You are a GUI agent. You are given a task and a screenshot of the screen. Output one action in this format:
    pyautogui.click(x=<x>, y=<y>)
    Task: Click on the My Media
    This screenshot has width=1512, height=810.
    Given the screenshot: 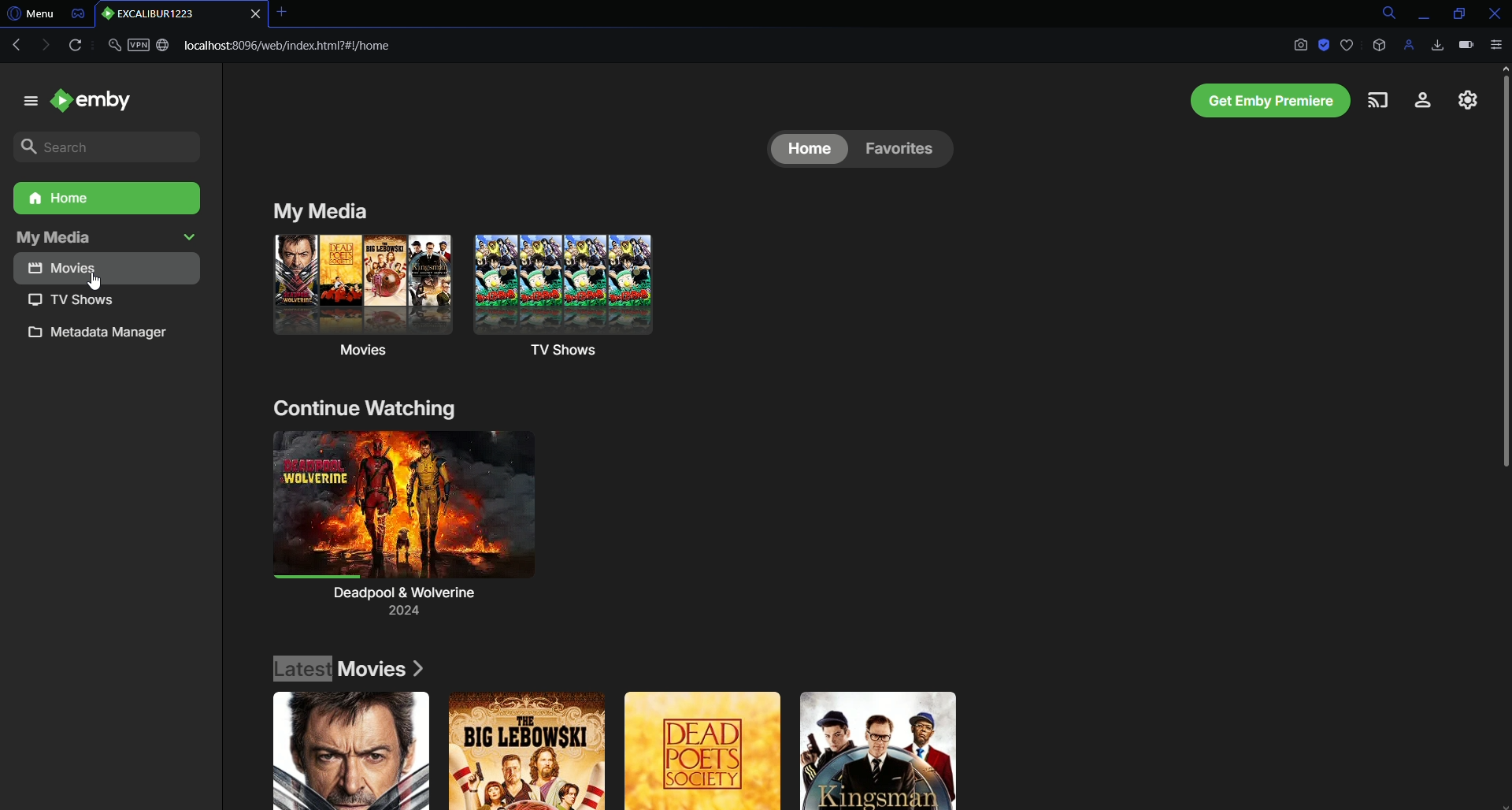 What is the action you would take?
    pyautogui.click(x=324, y=213)
    